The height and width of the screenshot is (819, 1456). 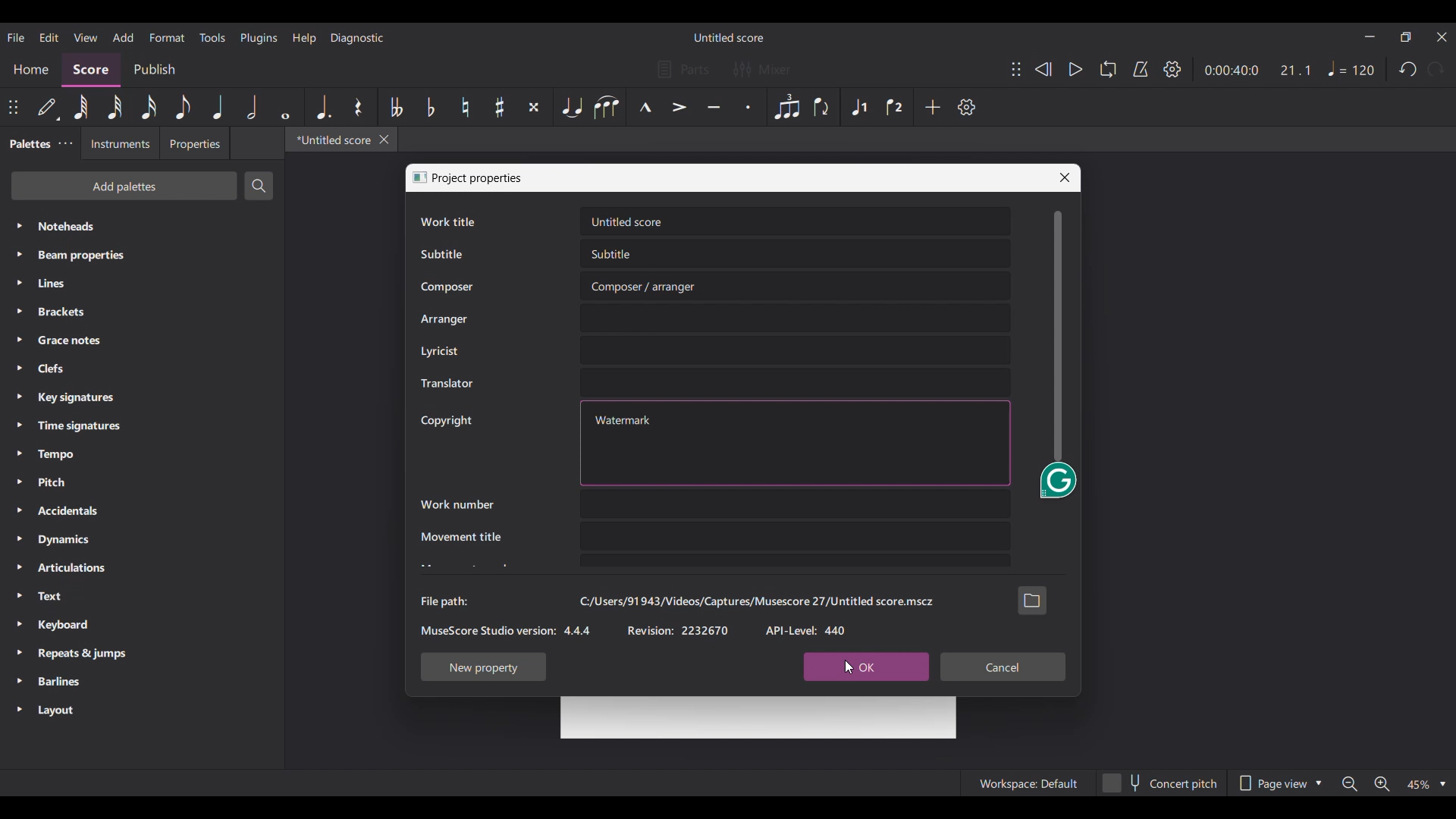 What do you see at coordinates (1407, 69) in the screenshot?
I see `Undo` at bounding box center [1407, 69].